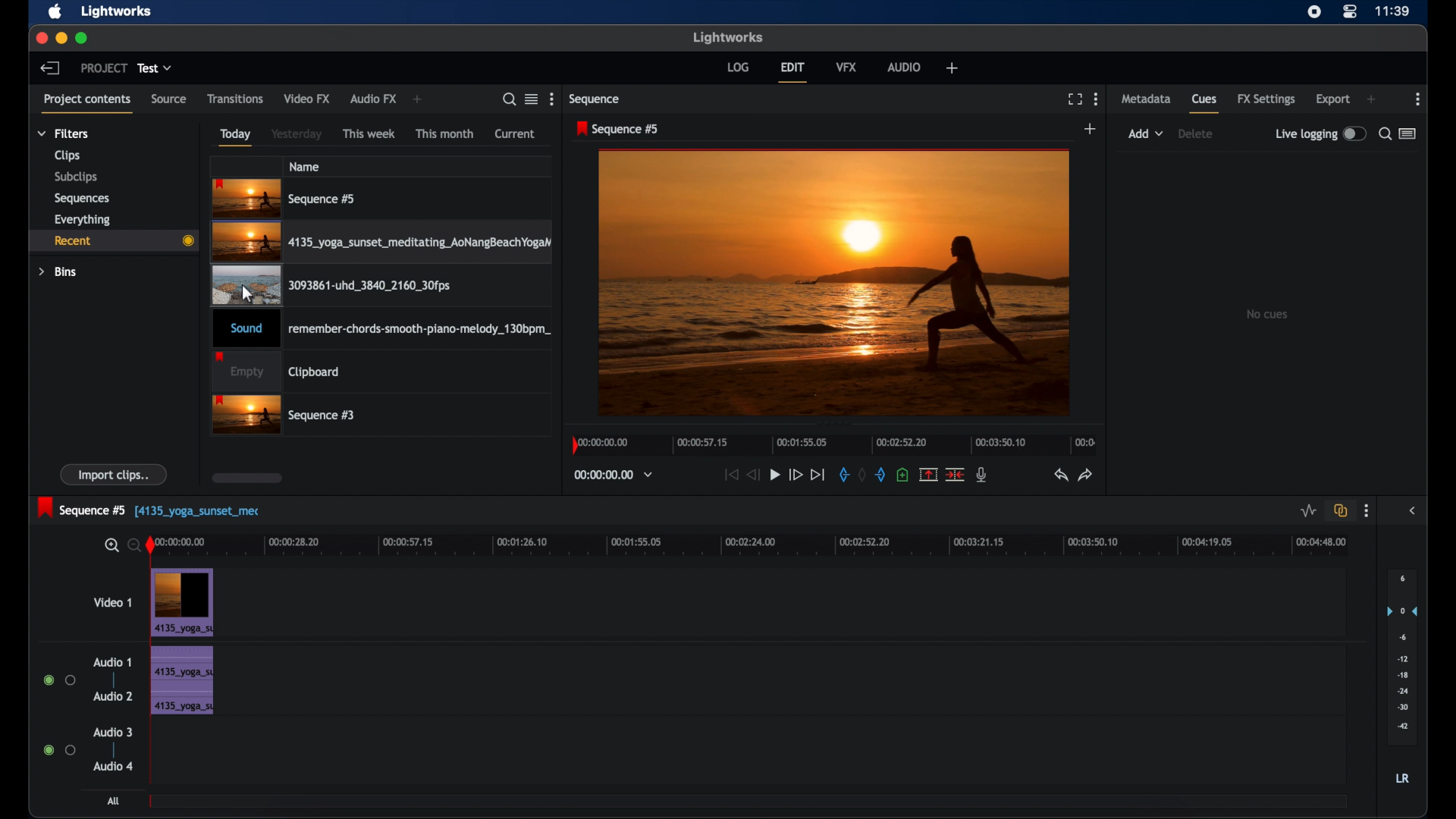 The width and height of the screenshot is (1456, 819). Describe the element at coordinates (62, 38) in the screenshot. I see `minimize` at that location.